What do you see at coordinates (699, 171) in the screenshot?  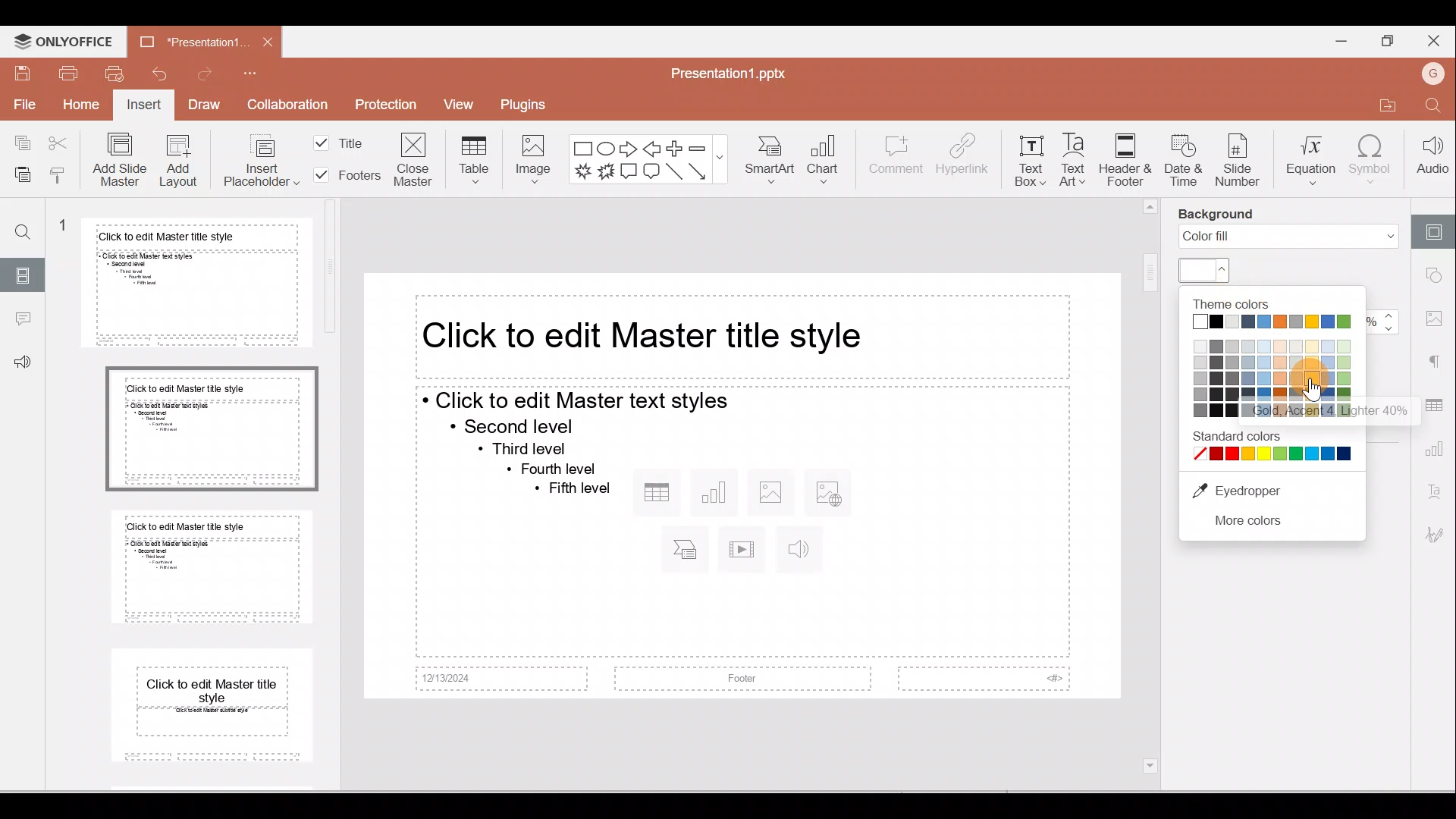 I see `Arrow` at bounding box center [699, 171].